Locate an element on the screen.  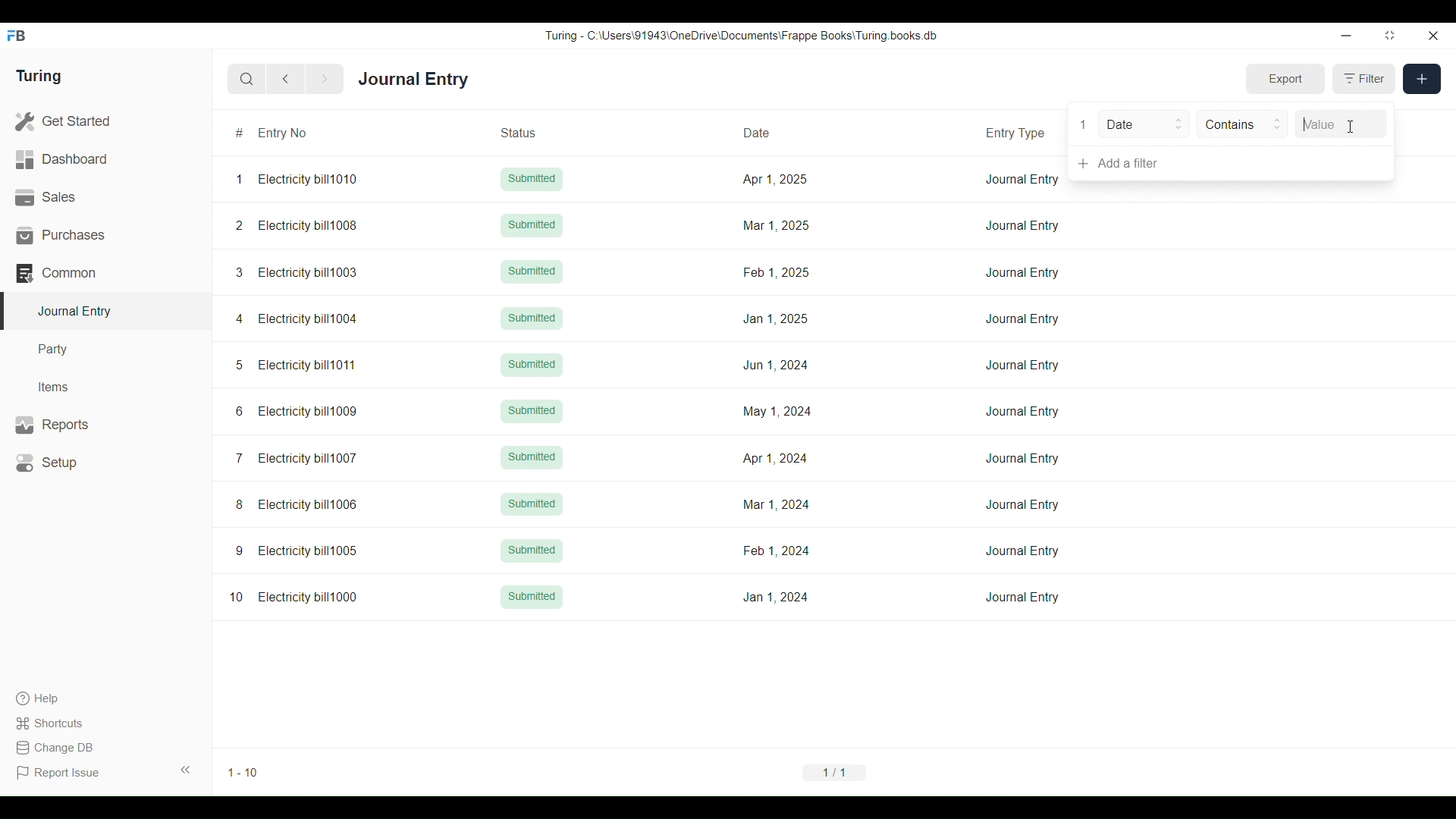
1/1 is located at coordinates (834, 772).